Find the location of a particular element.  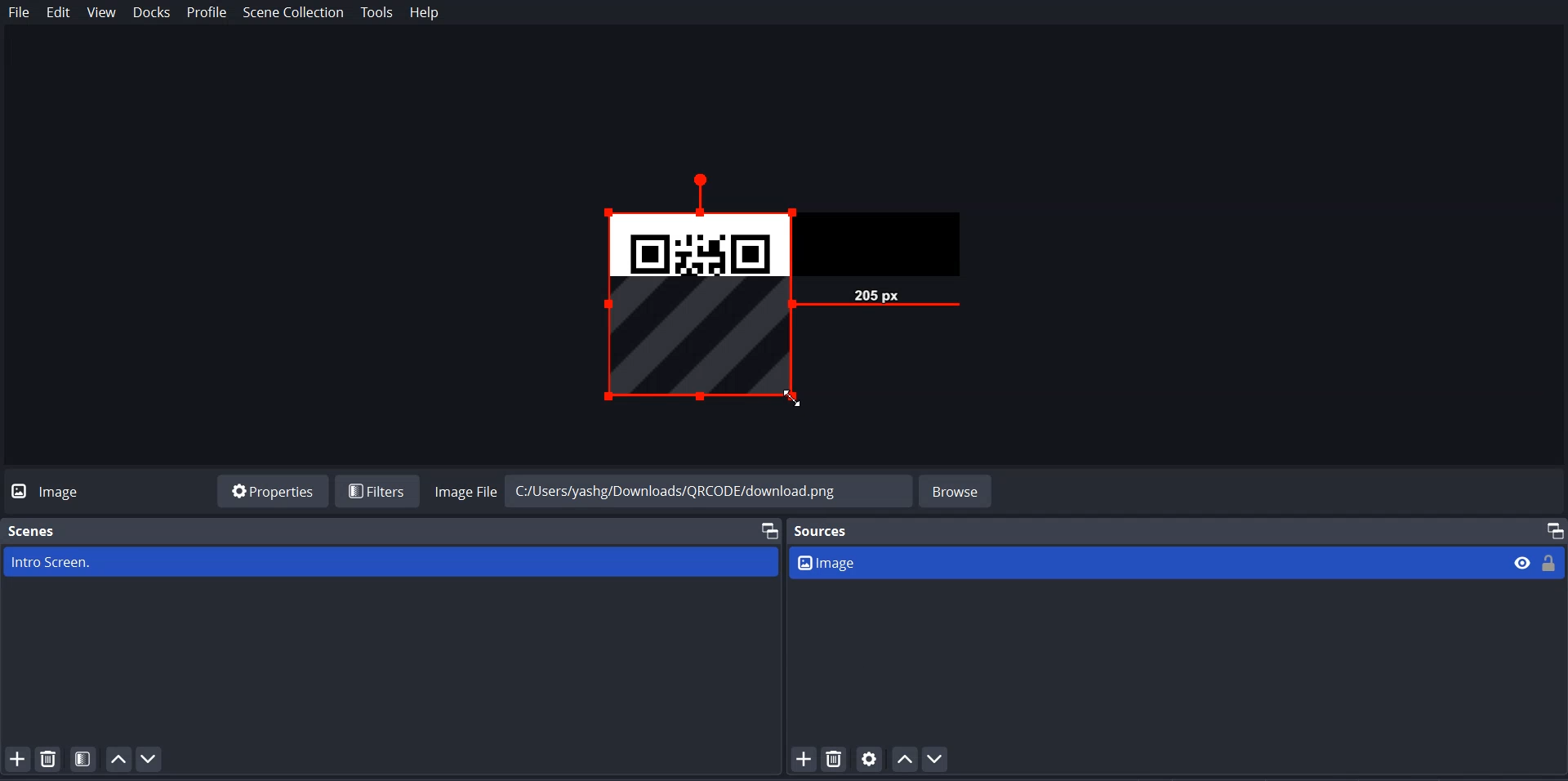

Image is located at coordinates (1147, 562).